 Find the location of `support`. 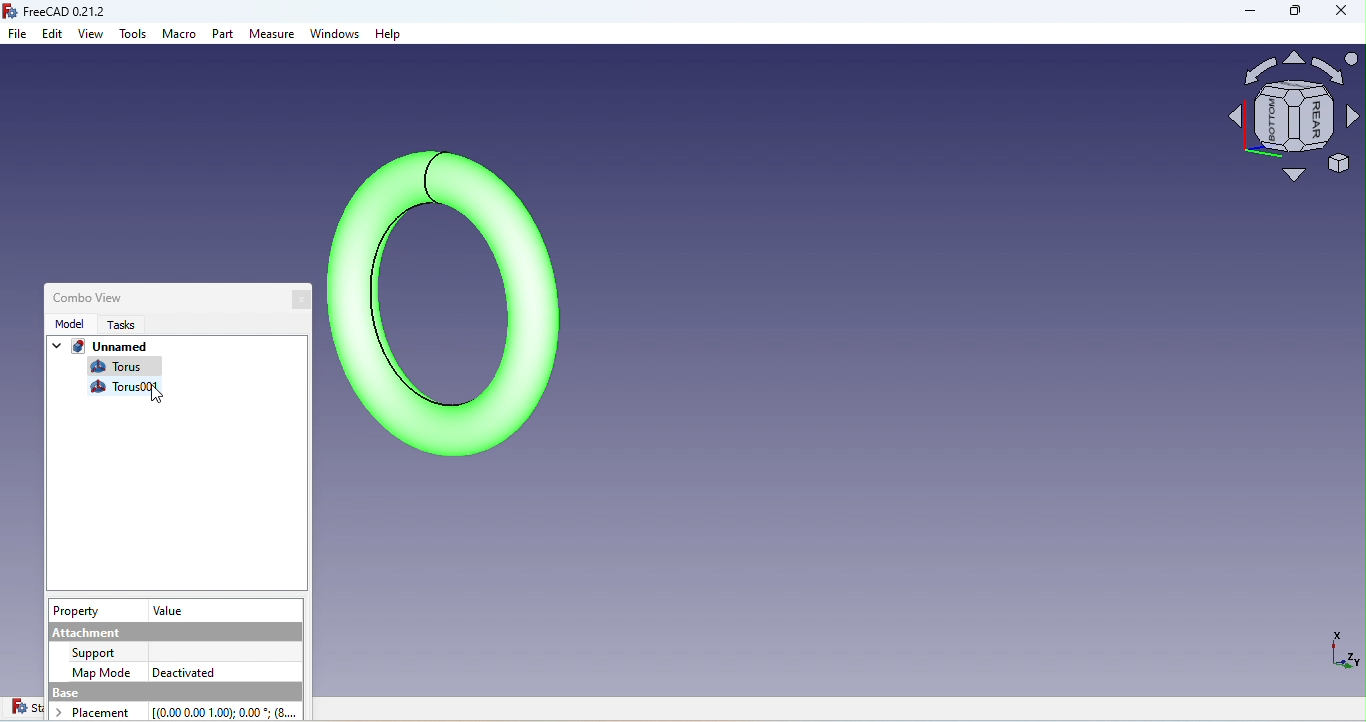

support is located at coordinates (98, 652).